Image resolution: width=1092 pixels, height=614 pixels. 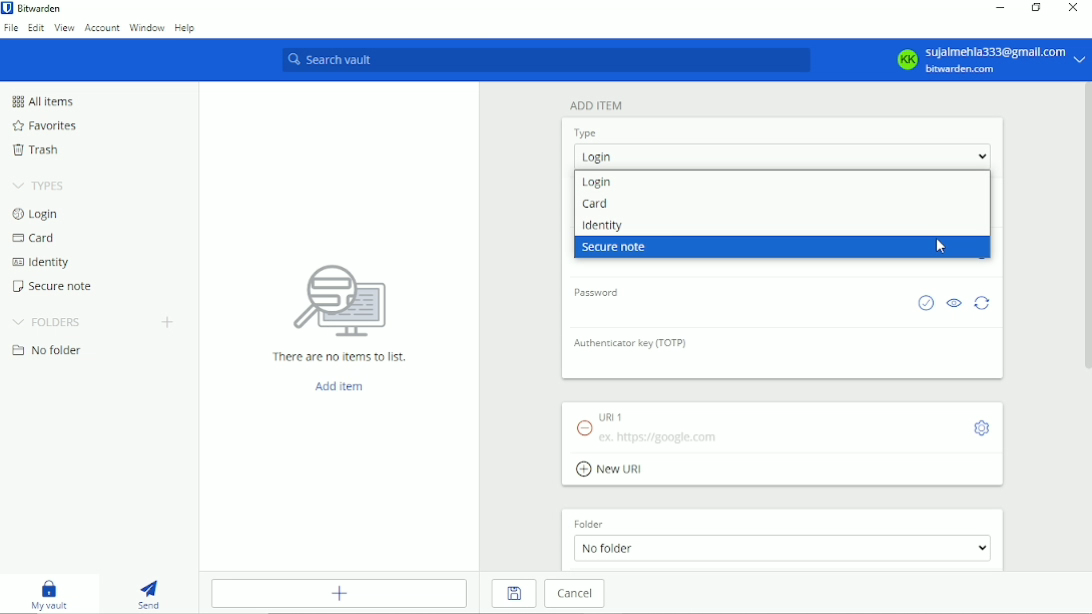 I want to click on Folder, so click(x=608, y=522).